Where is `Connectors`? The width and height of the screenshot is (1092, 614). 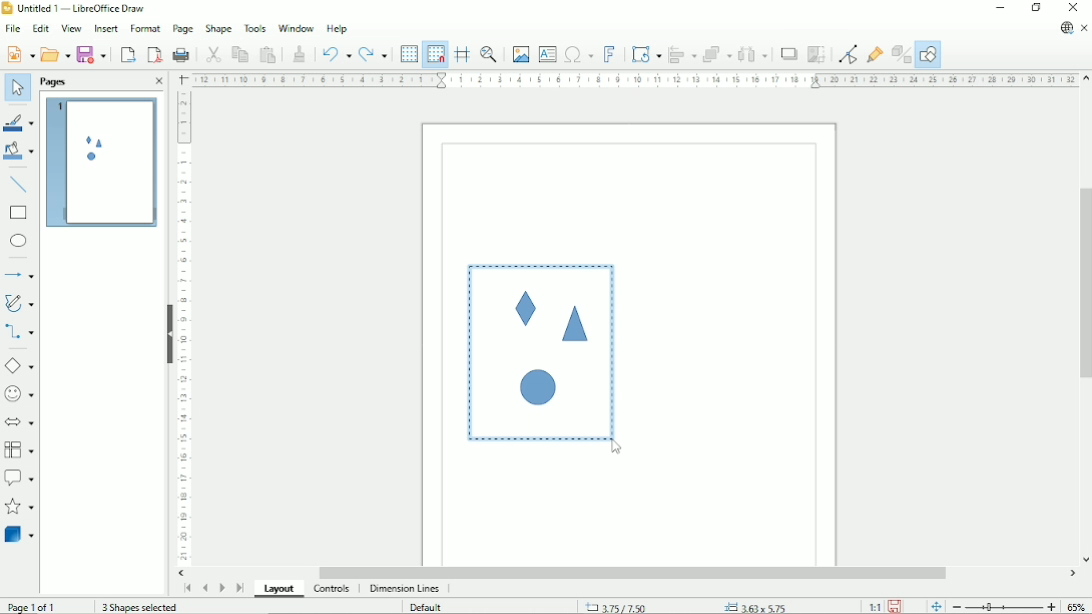 Connectors is located at coordinates (19, 333).